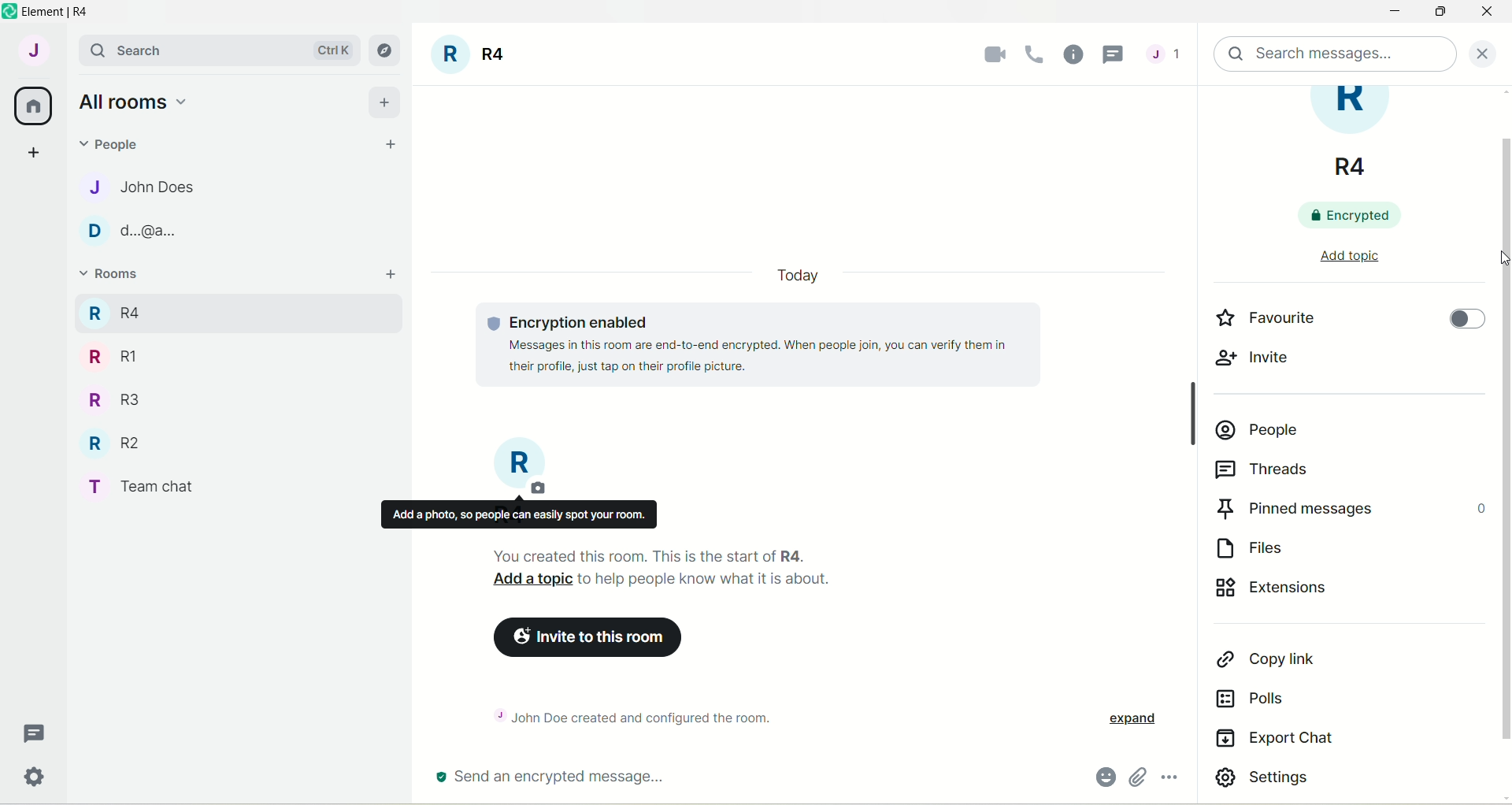 The image size is (1512, 805). What do you see at coordinates (1038, 54) in the screenshot?
I see `voice call` at bounding box center [1038, 54].